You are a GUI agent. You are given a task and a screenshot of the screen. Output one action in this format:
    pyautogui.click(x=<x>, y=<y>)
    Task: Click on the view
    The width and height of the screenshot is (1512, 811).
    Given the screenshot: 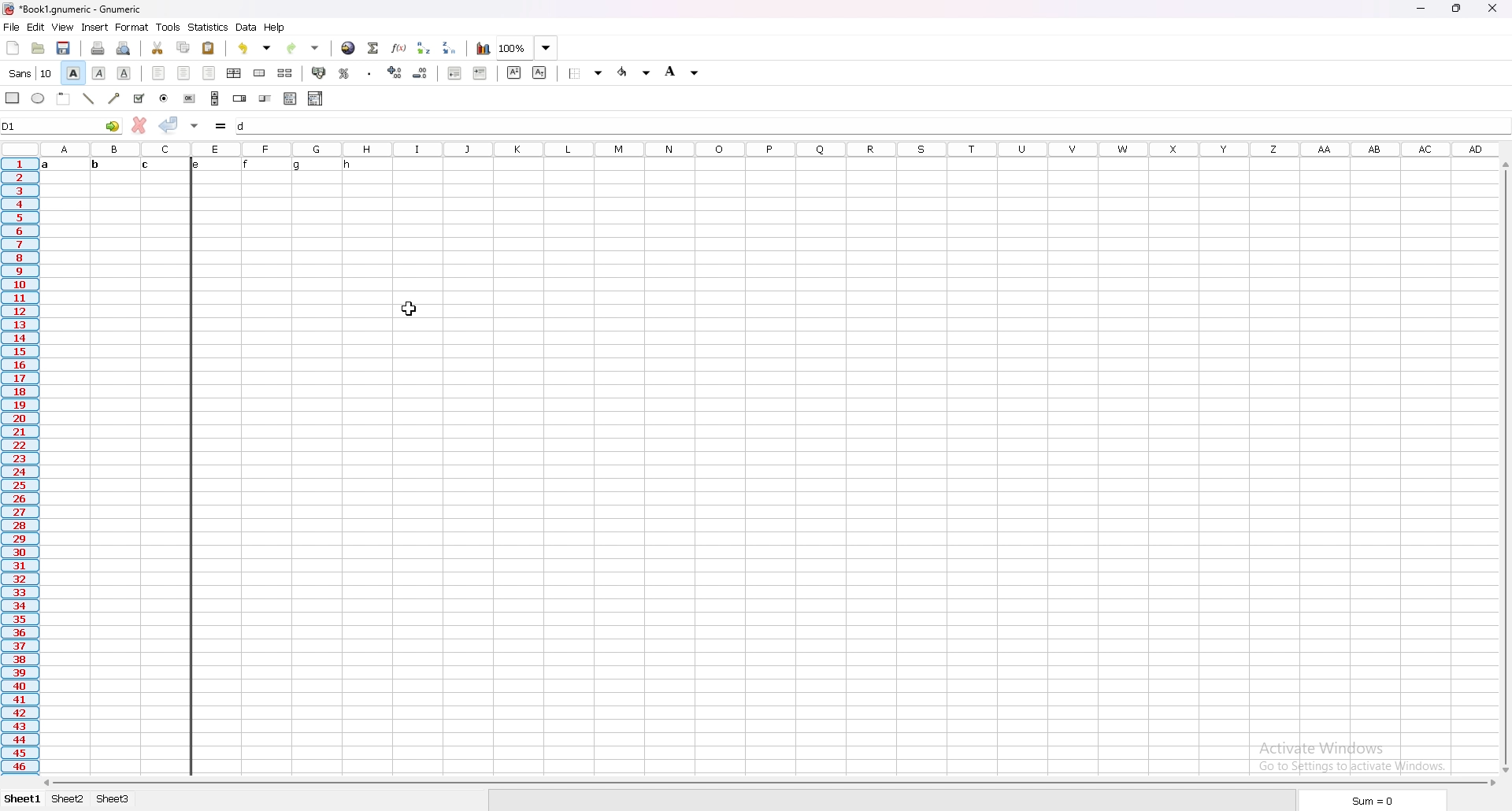 What is the action you would take?
    pyautogui.click(x=63, y=27)
    